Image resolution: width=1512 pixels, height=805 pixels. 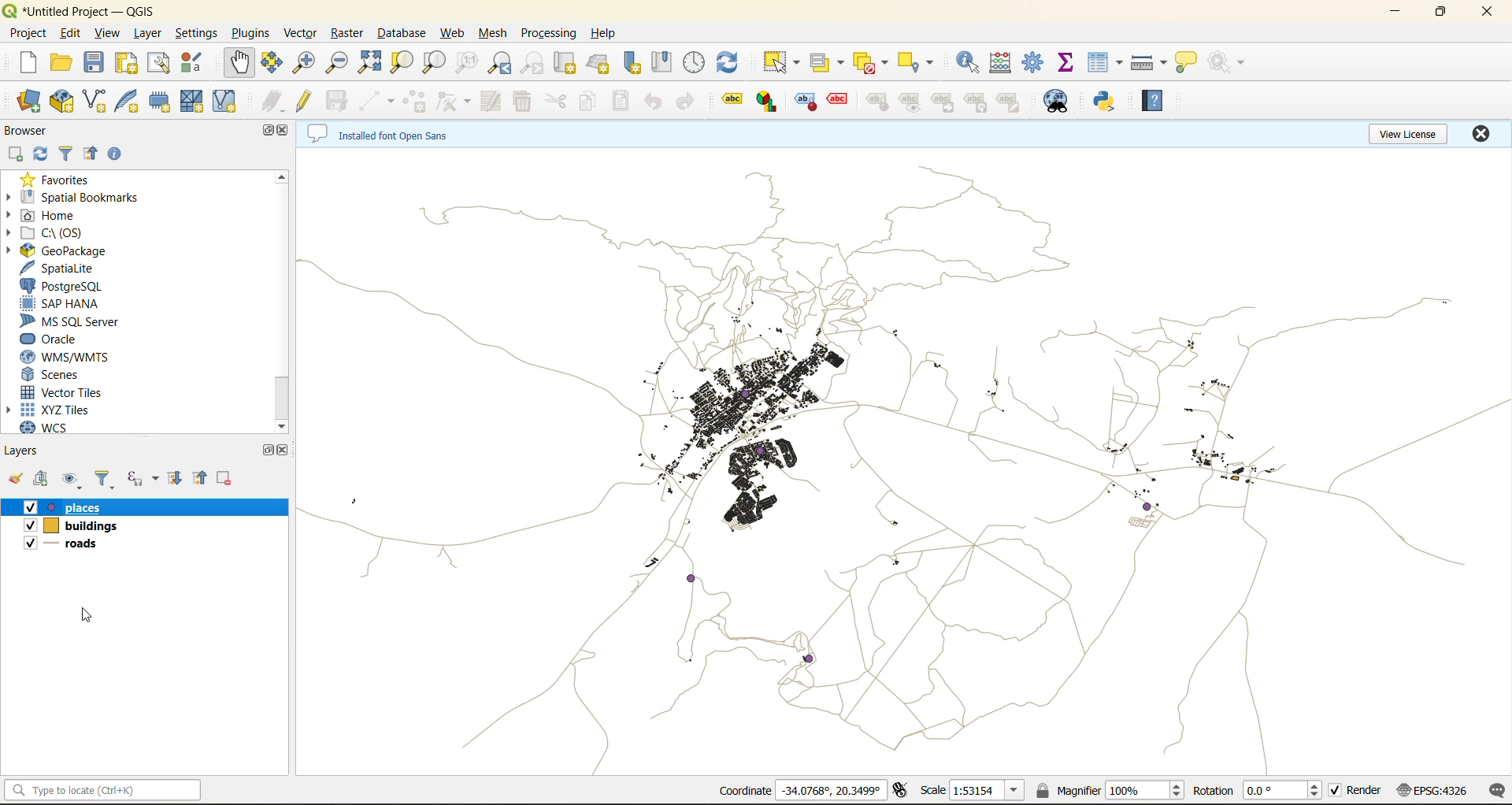 What do you see at coordinates (47, 217) in the screenshot?
I see `home` at bounding box center [47, 217].